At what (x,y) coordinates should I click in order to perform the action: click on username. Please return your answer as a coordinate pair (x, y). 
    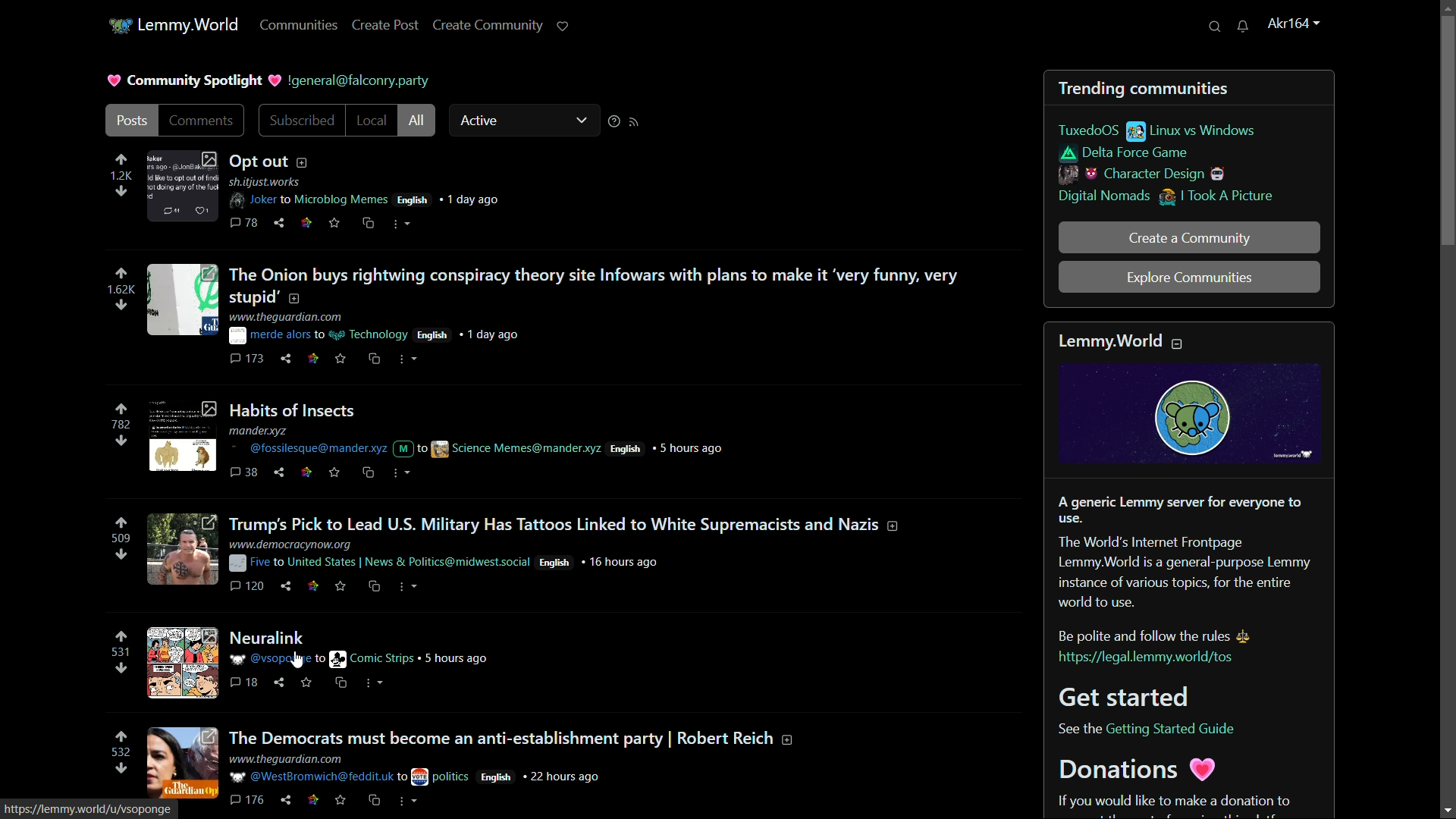
    Looking at the image, I should click on (1295, 25).